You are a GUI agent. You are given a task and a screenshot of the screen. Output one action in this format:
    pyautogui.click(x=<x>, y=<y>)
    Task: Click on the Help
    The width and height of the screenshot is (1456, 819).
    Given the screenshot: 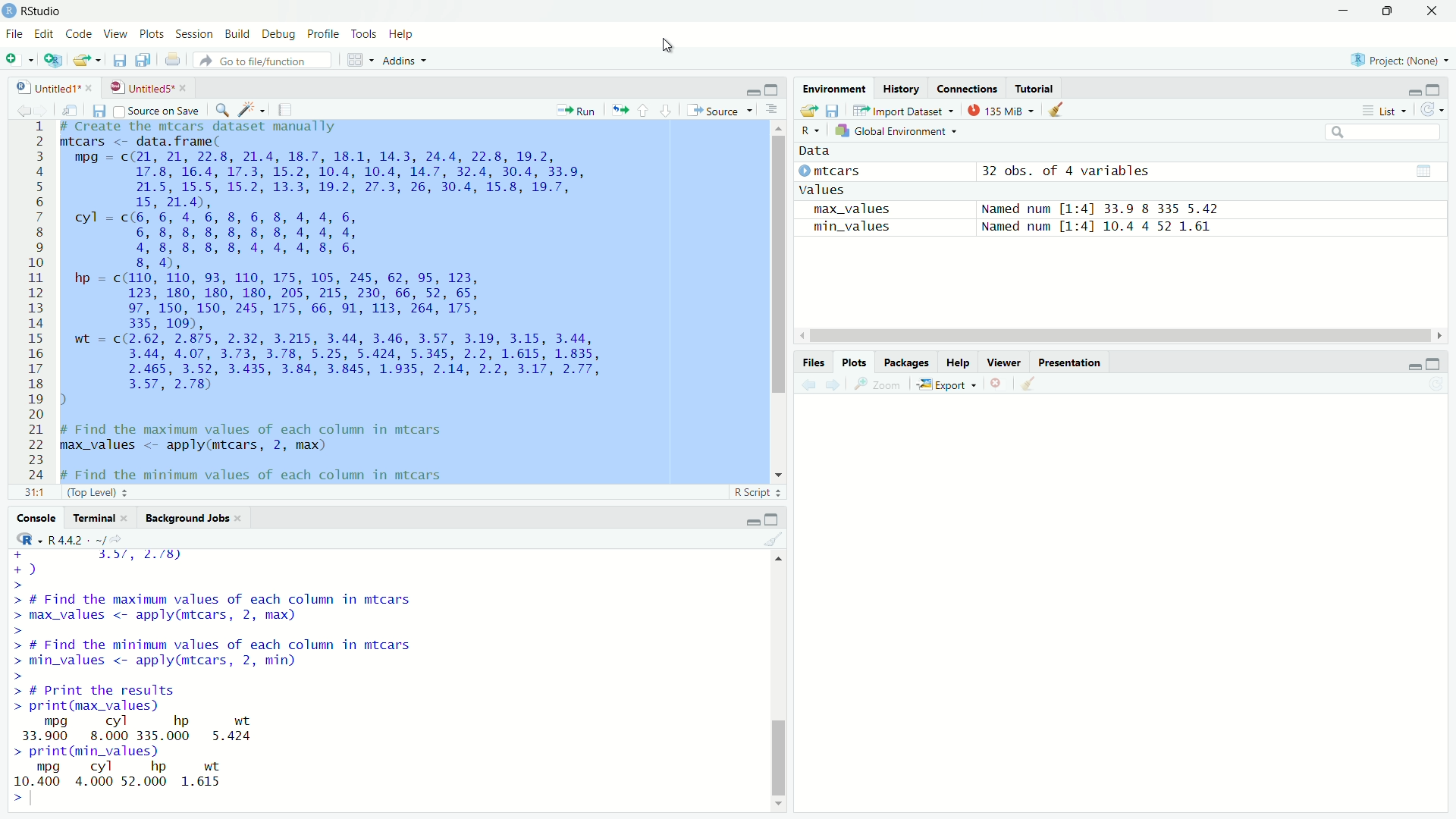 What is the action you would take?
    pyautogui.click(x=953, y=360)
    